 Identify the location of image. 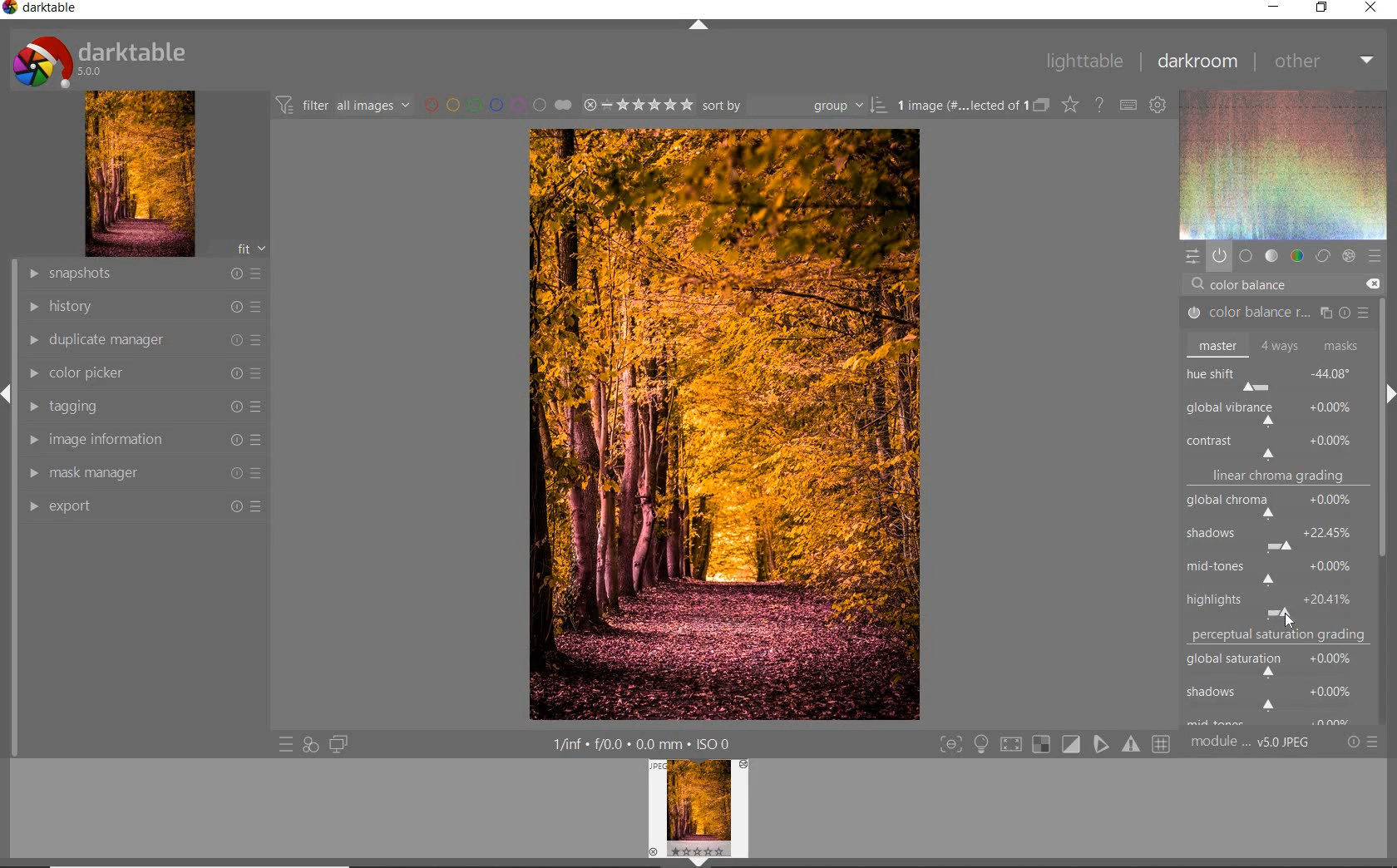
(141, 174).